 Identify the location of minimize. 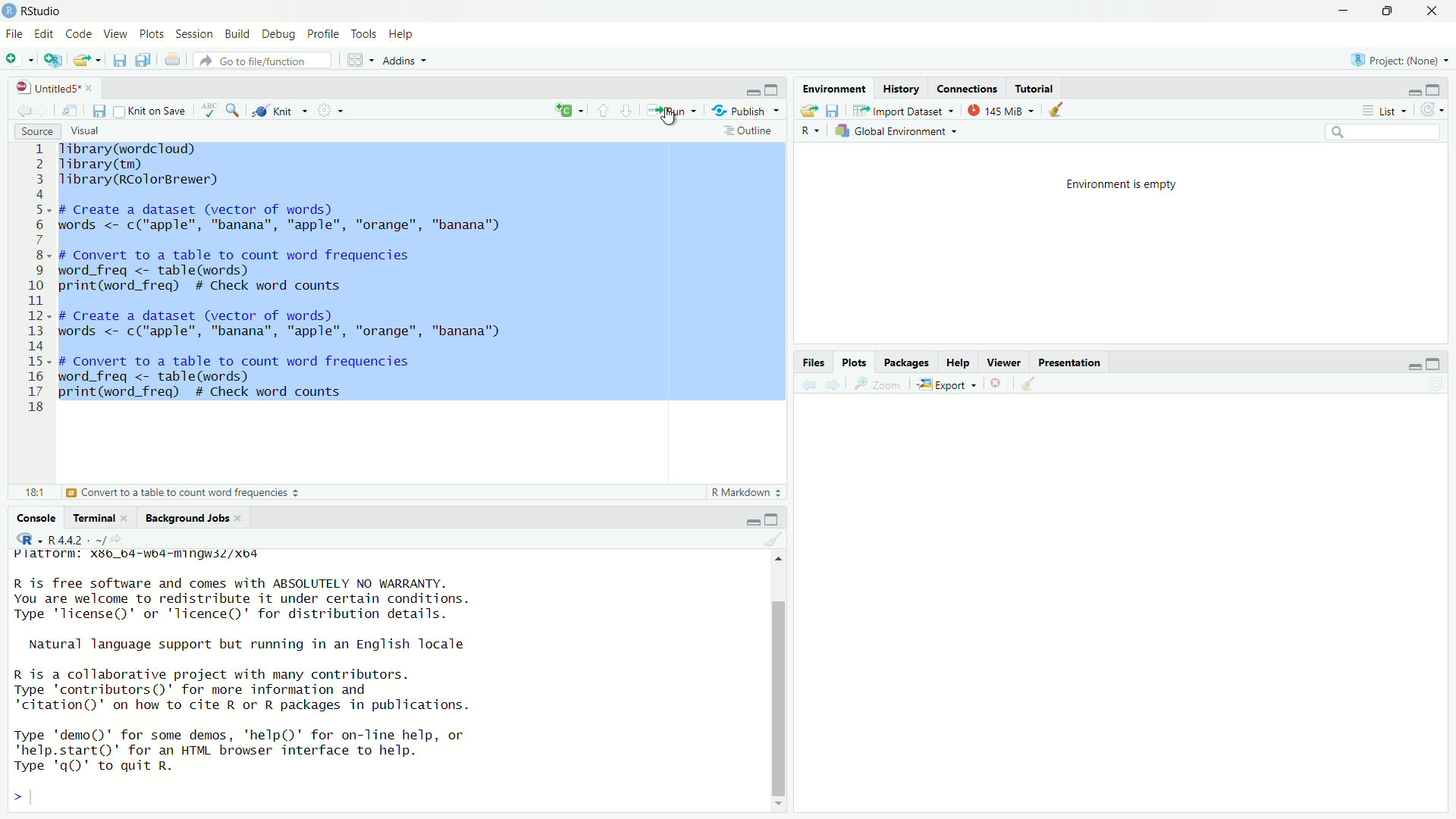
(753, 92).